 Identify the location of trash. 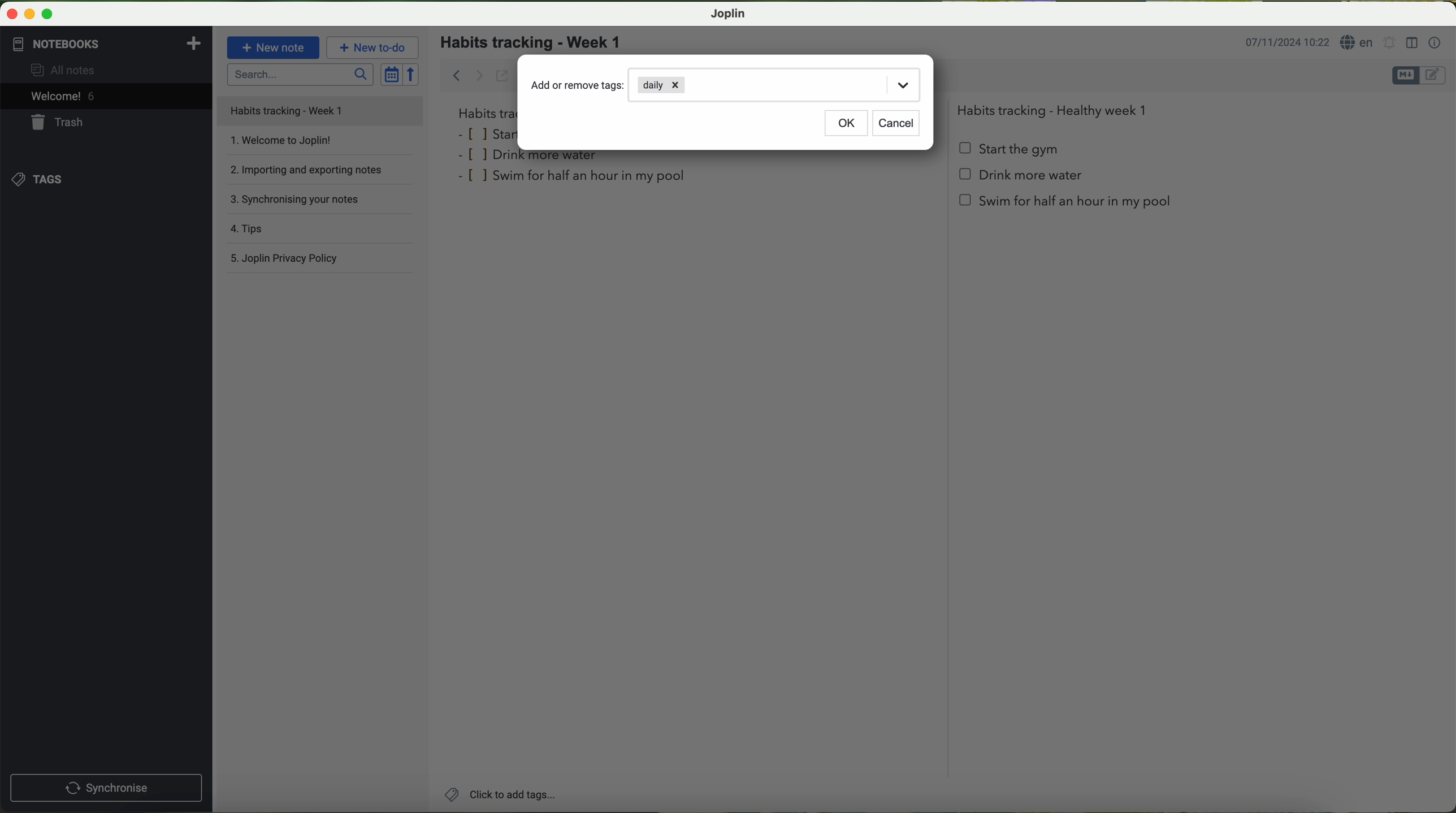
(59, 122).